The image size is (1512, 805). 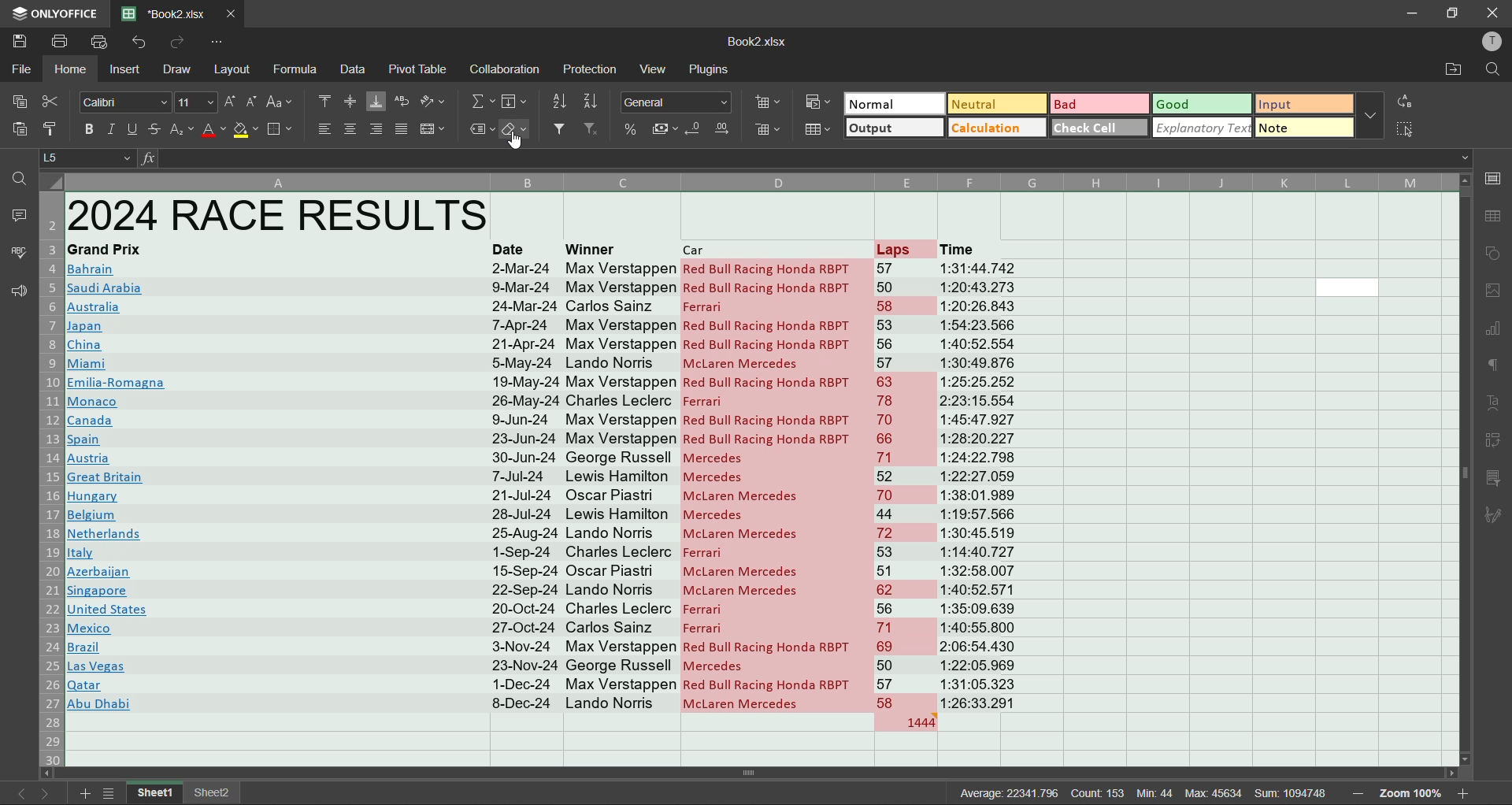 I want to click on good, so click(x=1203, y=105).